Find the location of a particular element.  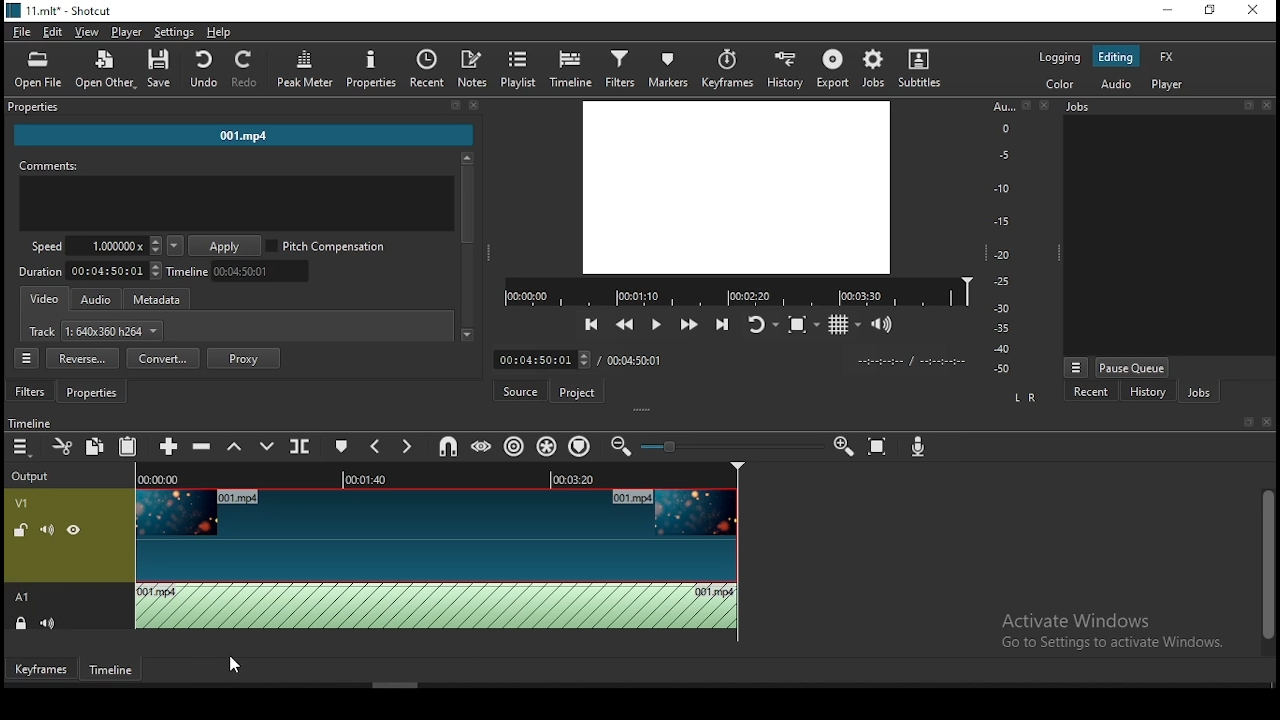

help is located at coordinates (220, 32).